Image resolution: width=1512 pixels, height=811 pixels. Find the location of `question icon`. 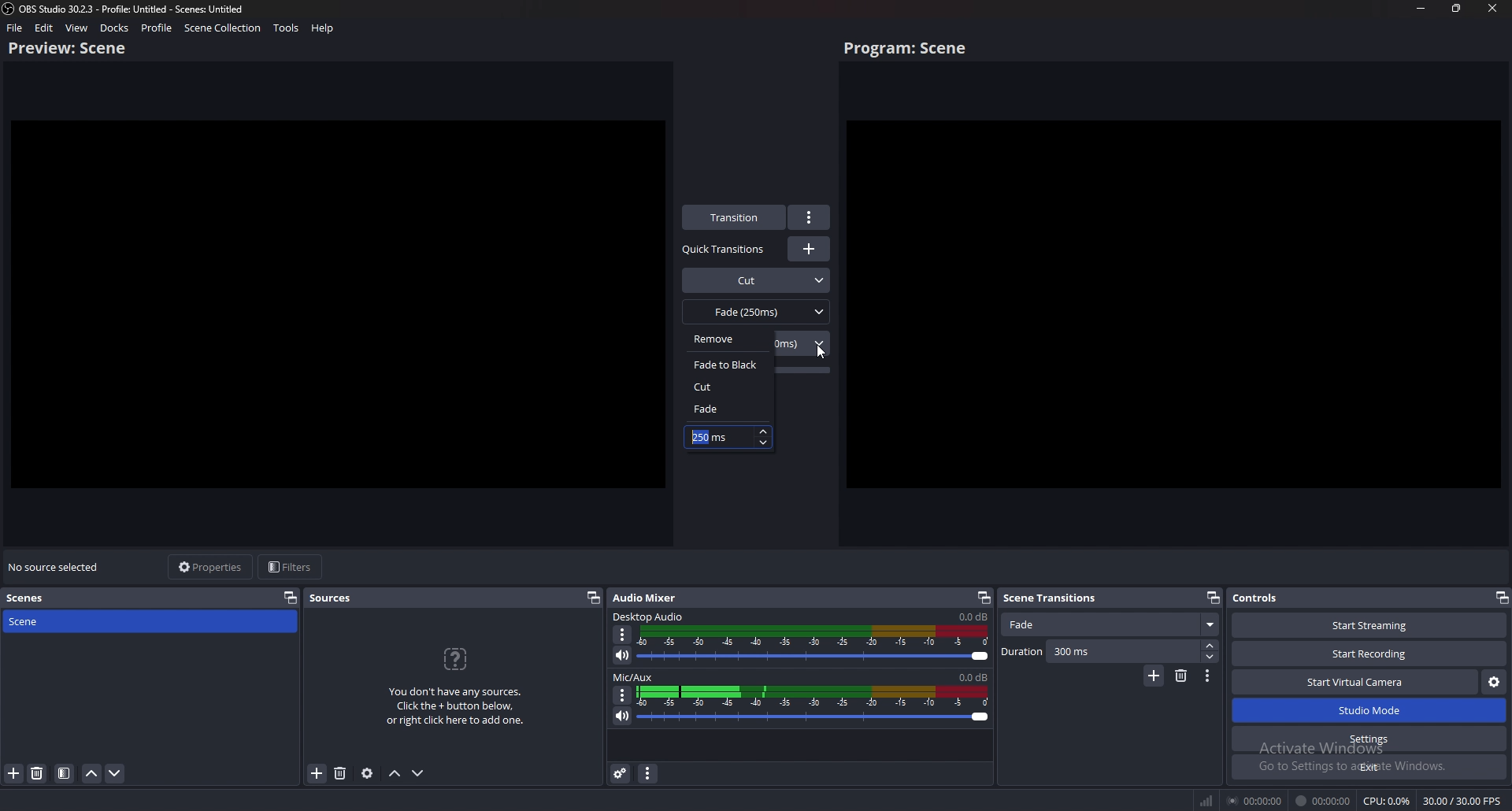

question icon is located at coordinates (457, 659).